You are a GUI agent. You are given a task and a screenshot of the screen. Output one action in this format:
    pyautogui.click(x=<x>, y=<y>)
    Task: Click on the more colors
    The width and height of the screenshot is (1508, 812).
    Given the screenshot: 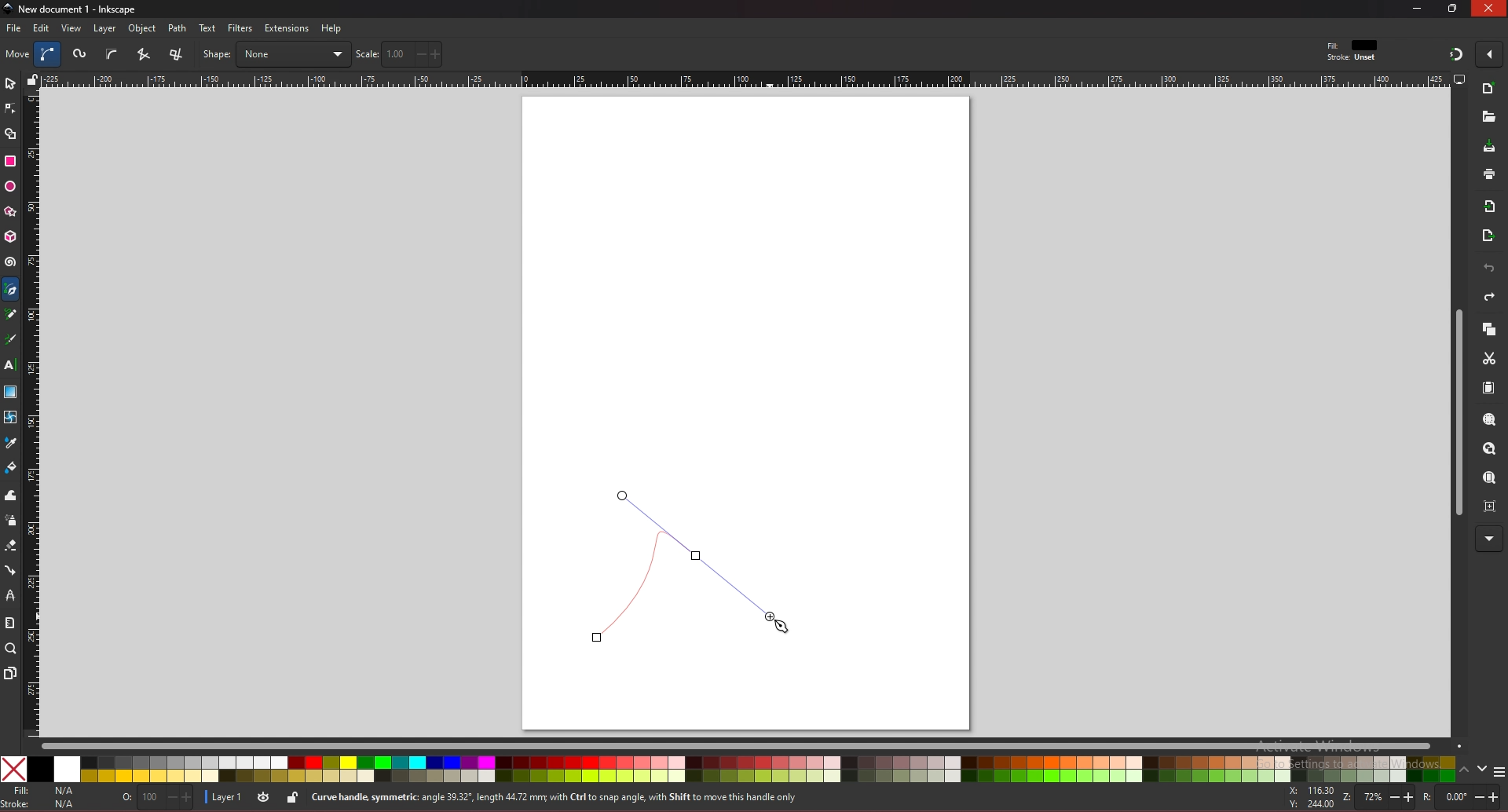 What is the action you would take?
    pyautogui.click(x=1499, y=773)
    